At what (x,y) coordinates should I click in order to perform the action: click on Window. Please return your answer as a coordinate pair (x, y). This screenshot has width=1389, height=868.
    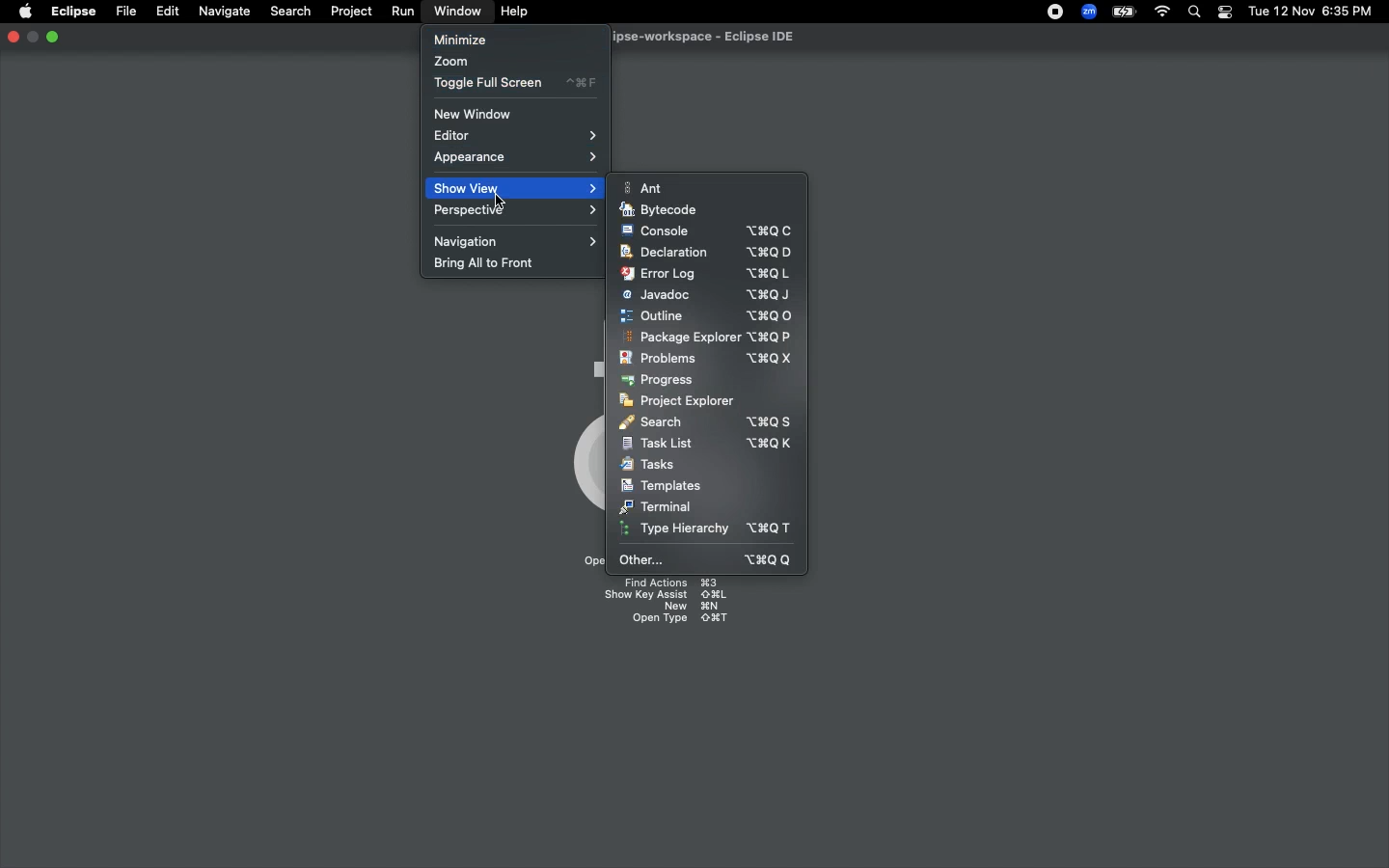
    Looking at the image, I should click on (453, 11).